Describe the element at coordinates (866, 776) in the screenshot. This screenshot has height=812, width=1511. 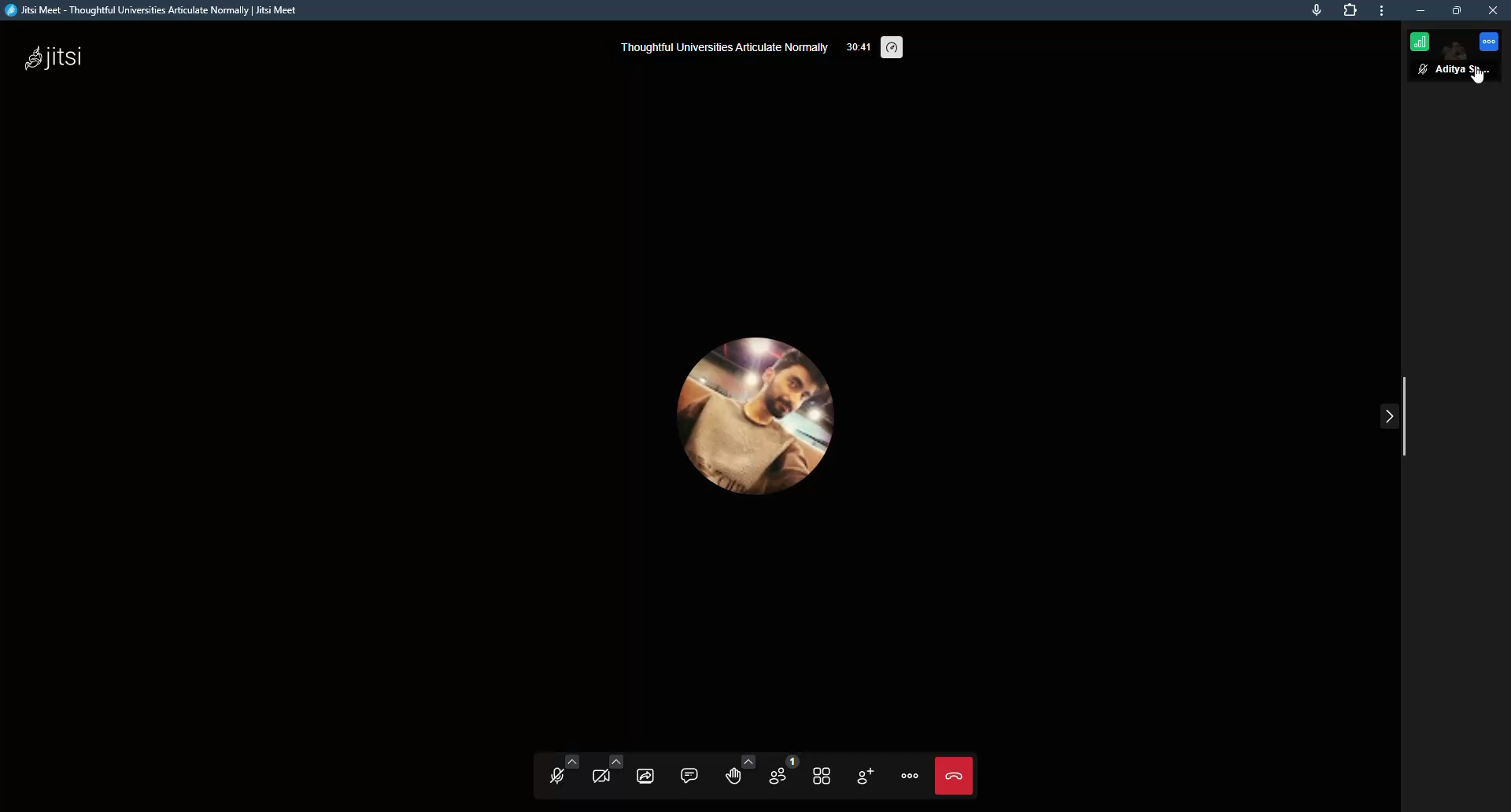
I see `invite people` at that location.